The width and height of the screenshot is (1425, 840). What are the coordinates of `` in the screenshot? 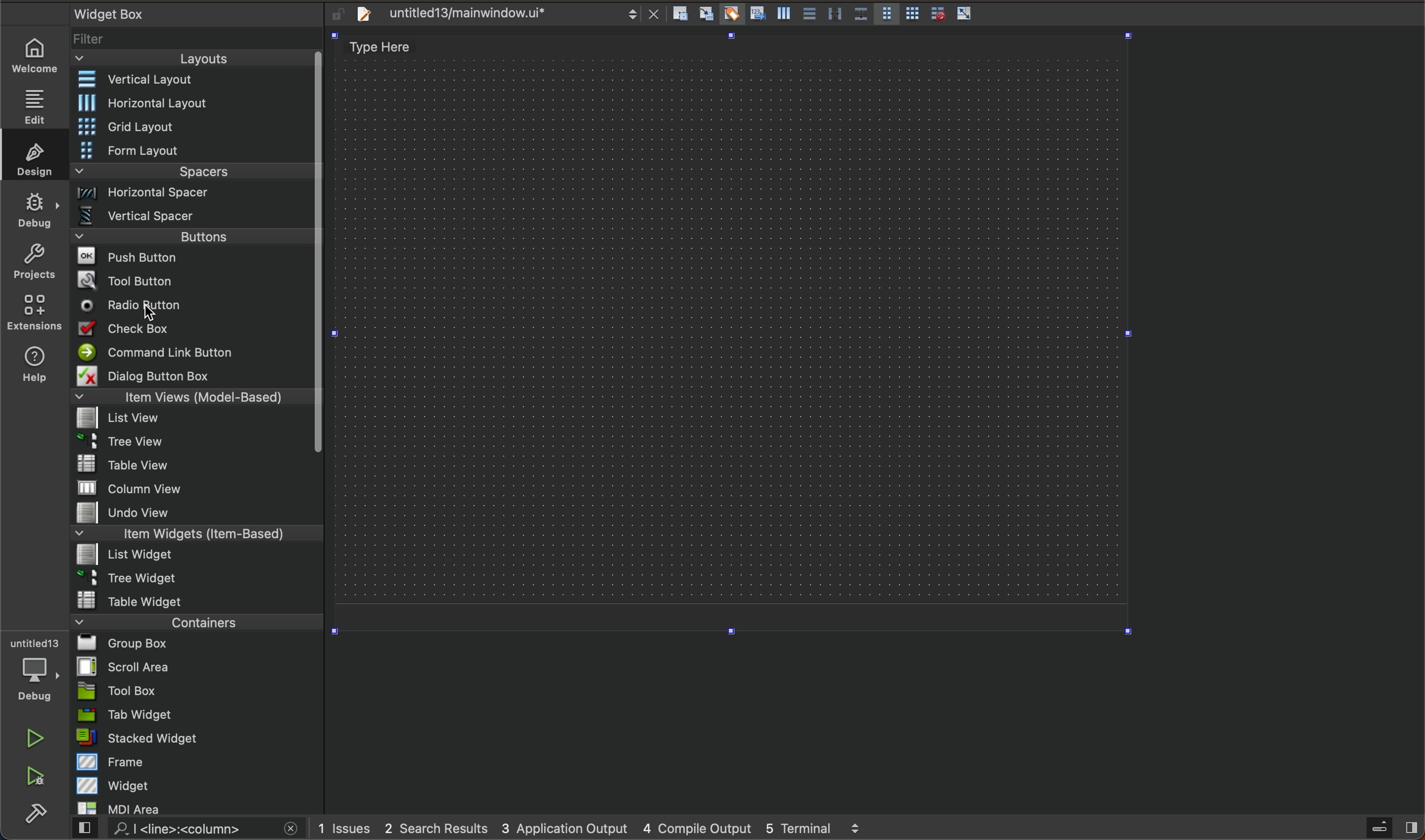 It's located at (965, 14).